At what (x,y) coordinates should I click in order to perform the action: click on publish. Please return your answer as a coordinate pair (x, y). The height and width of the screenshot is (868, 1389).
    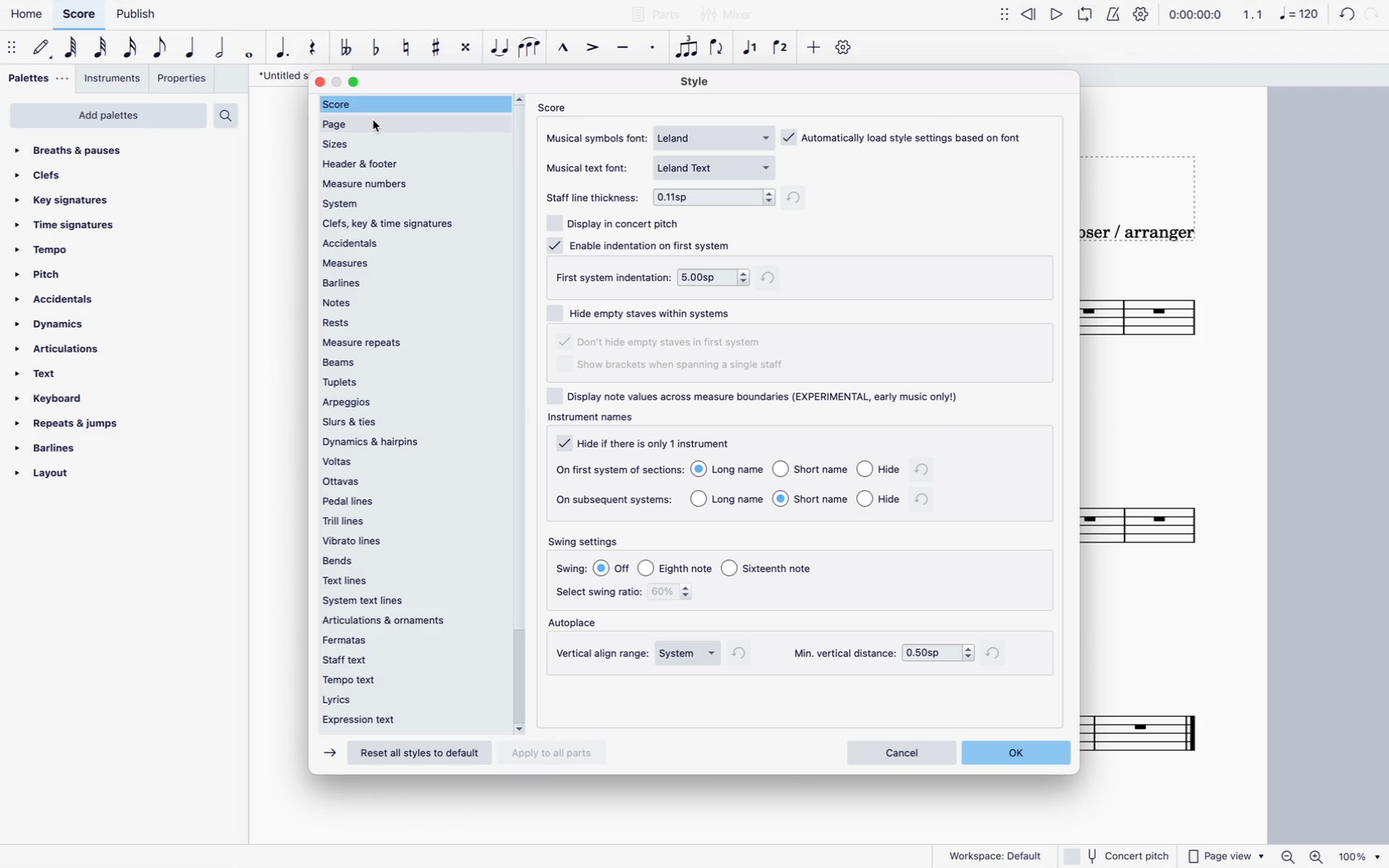
    Looking at the image, I should click on (141, 16).